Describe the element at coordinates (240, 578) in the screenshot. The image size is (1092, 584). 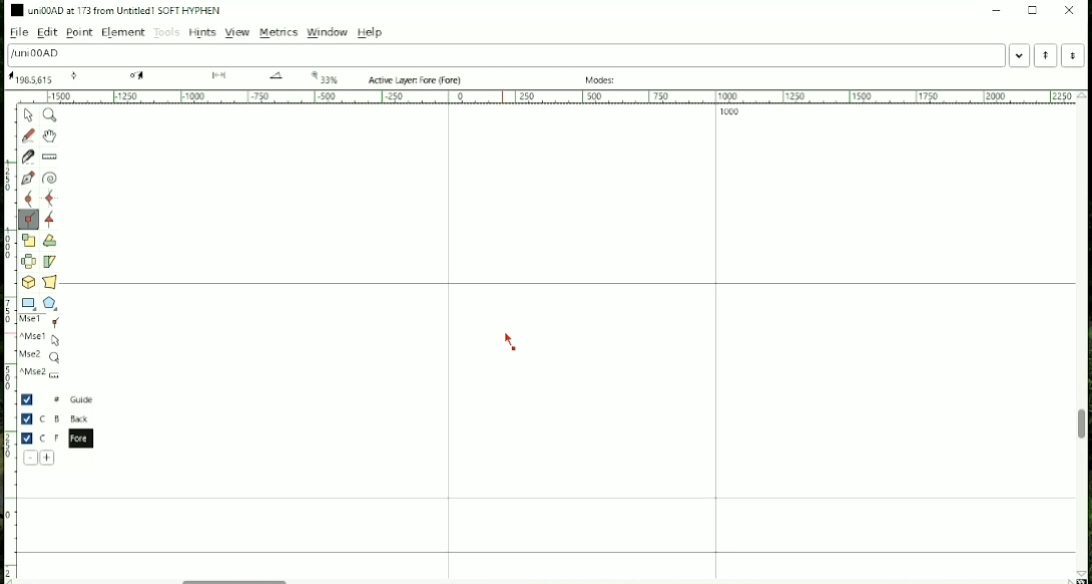
I see `Horizontal scrollbar` at that location.